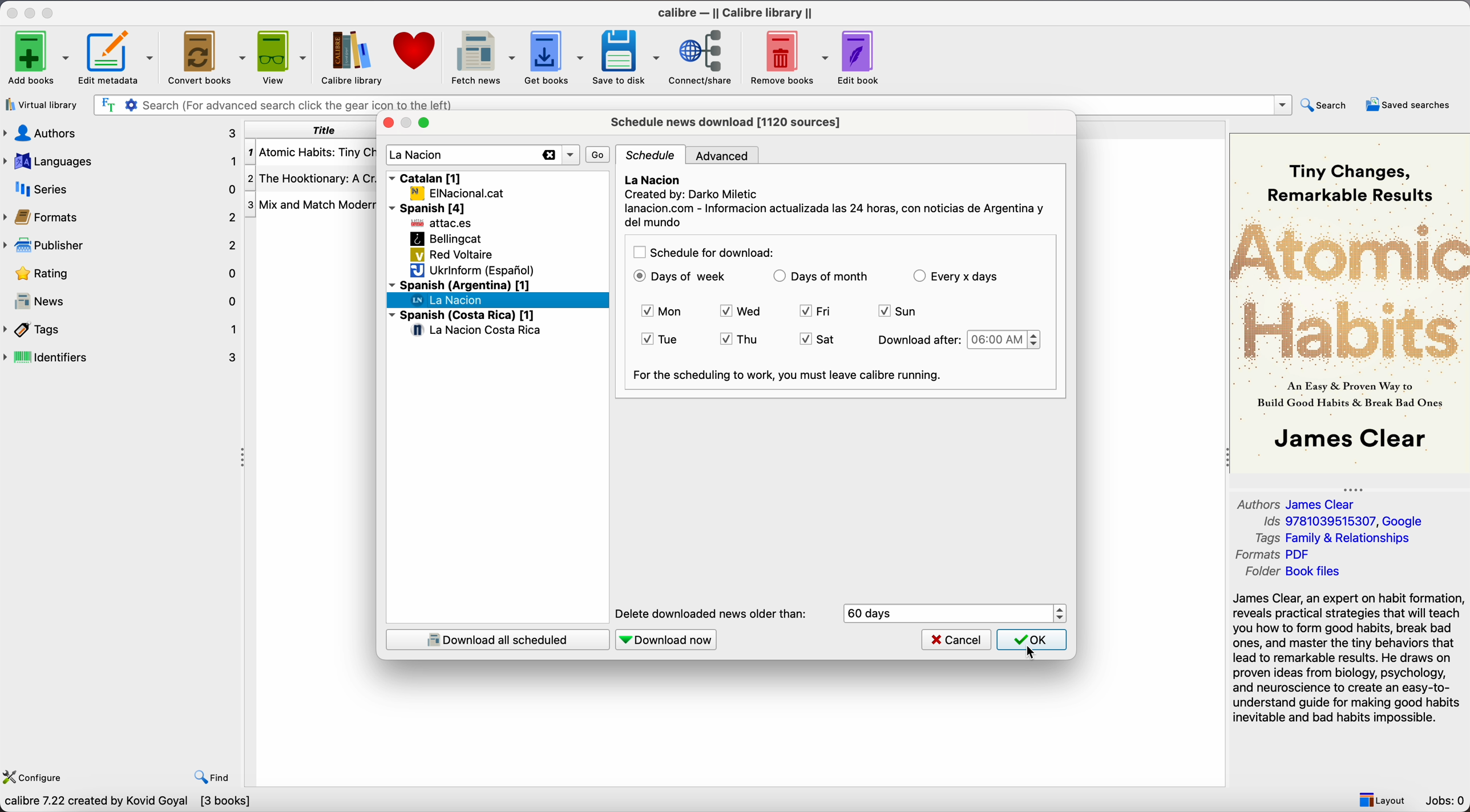 The width and height of the screenshot is (1470, 812). What do you see at coordinates (704, 56) in the screenshot?
I see `connect/share` at bounding box center [704, 56].